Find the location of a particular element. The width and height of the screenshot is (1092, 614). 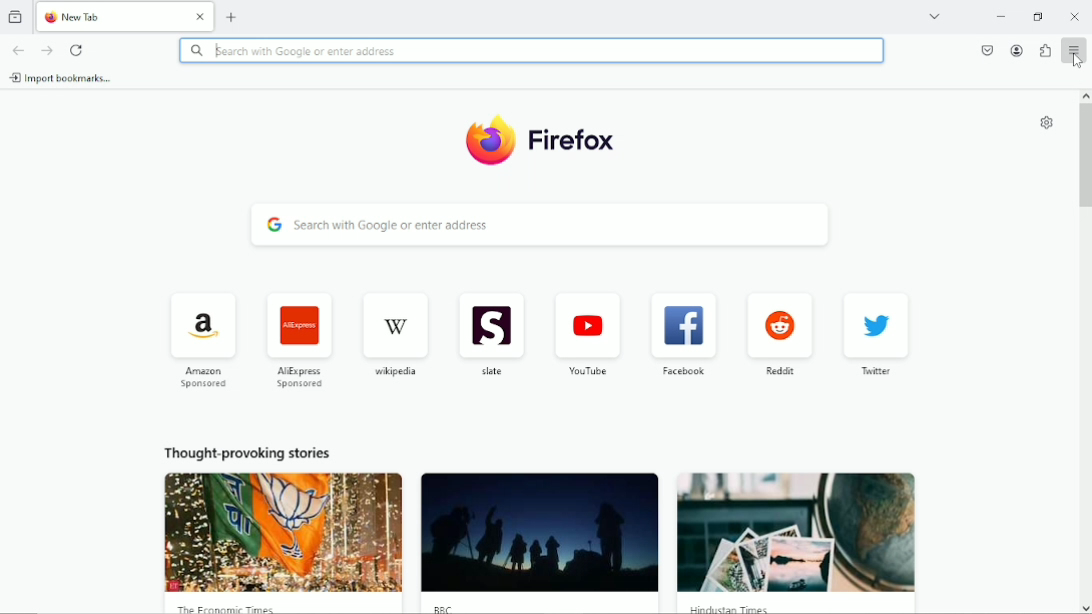

Reload current page is located at coordinates (78, 50).